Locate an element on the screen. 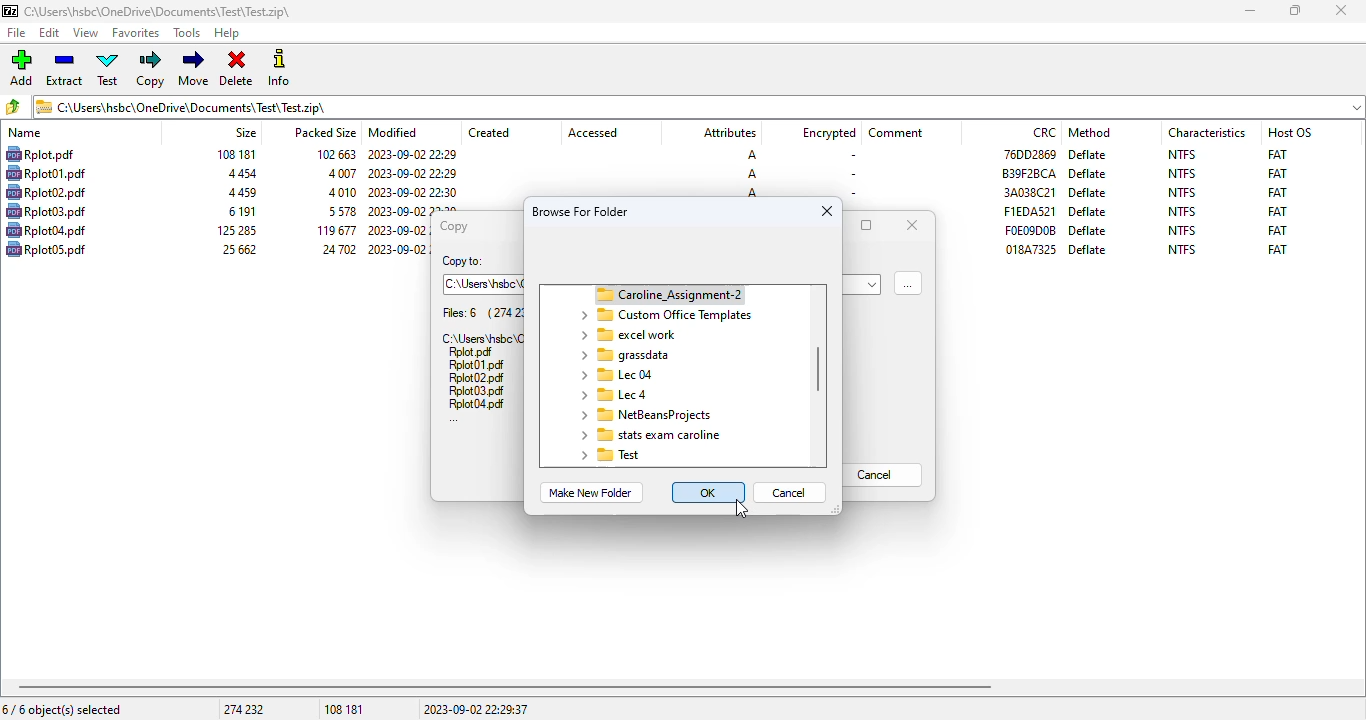 This screenshot has width=1366, height=720. - is located at coordinates (850, 192).